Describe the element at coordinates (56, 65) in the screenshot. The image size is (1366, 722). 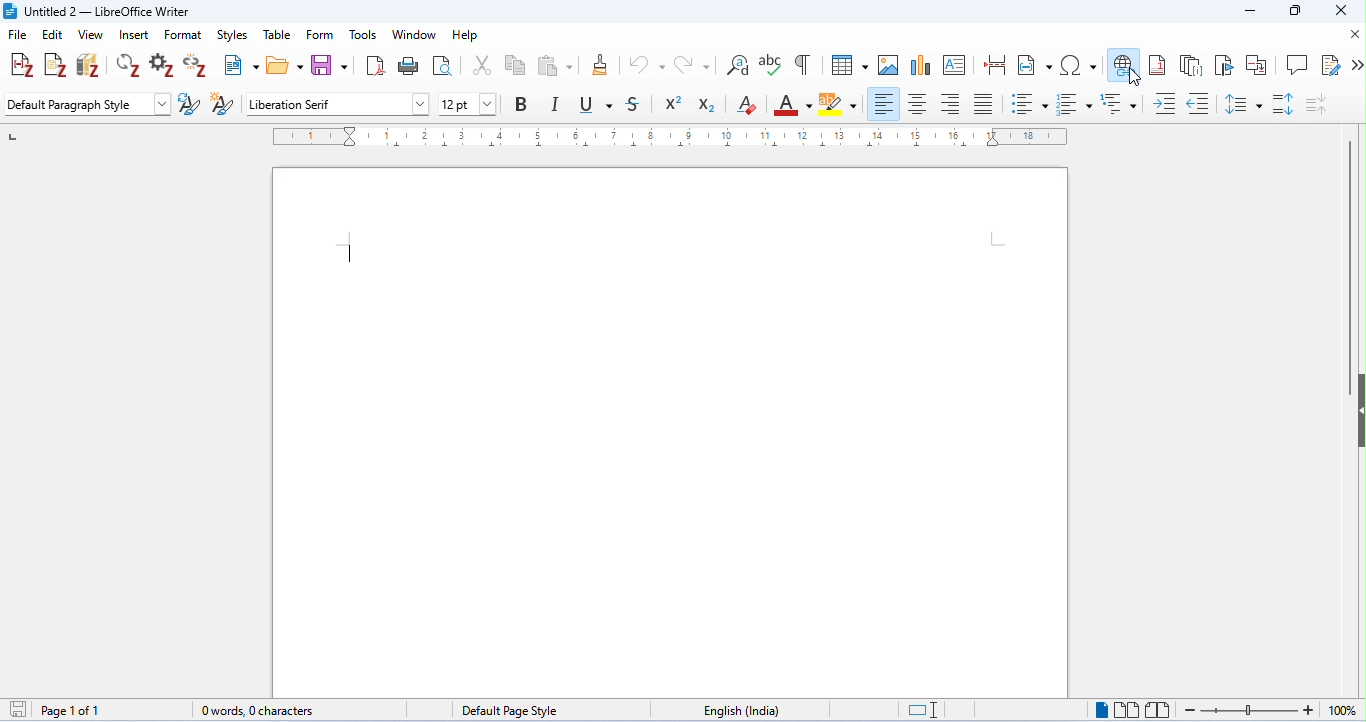
I see `add note` at that location.